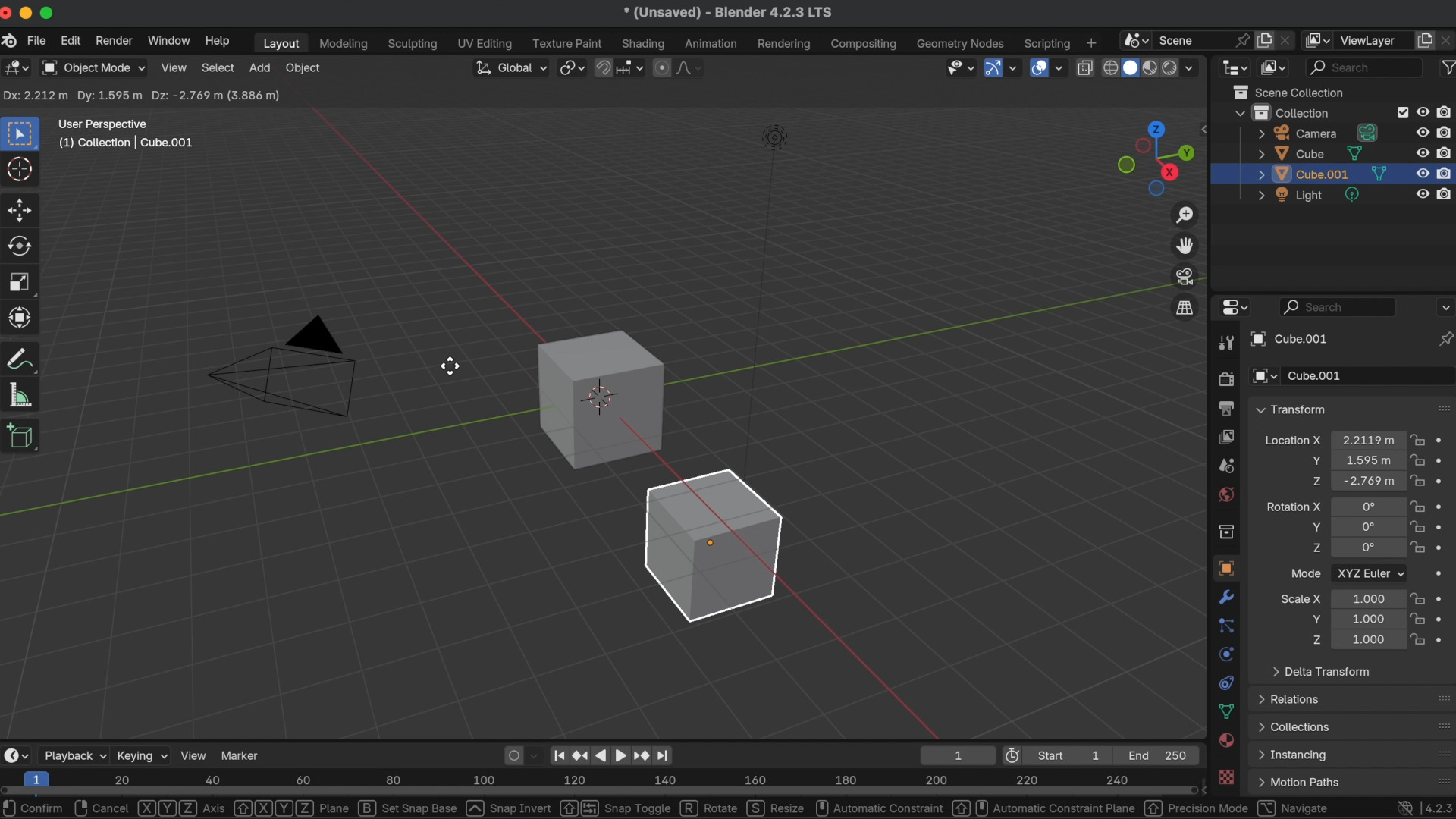 The width and height of the screenshot is (1456, 819). Describe the element at coordinates (1418, 506) in the screenshot. I see `lock rotation` at that location.